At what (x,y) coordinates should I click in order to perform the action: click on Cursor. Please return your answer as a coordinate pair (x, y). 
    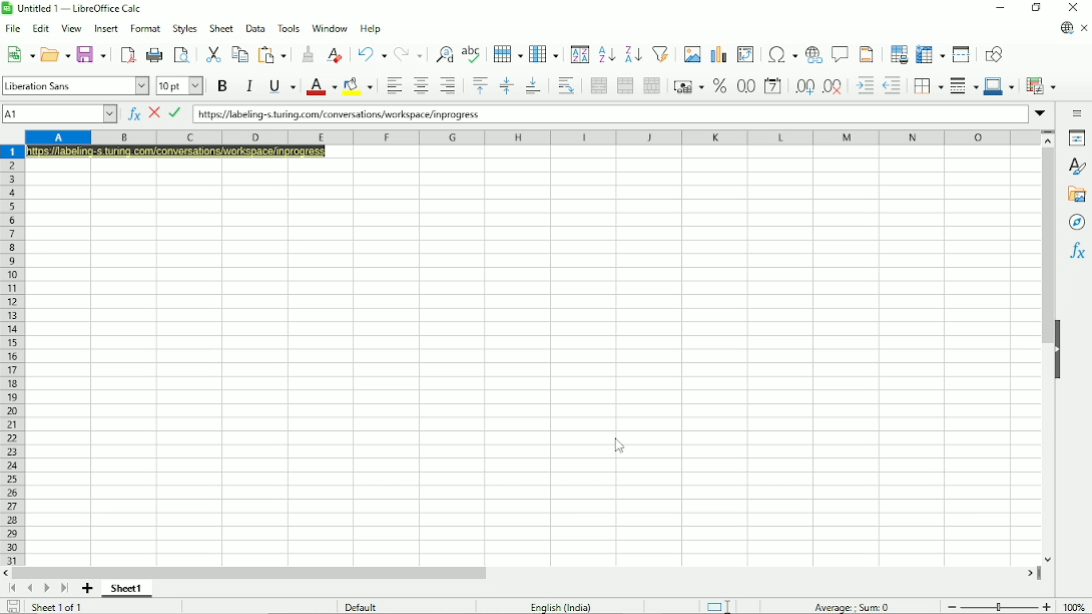
    Looking at the image, I should click on (620, 446).